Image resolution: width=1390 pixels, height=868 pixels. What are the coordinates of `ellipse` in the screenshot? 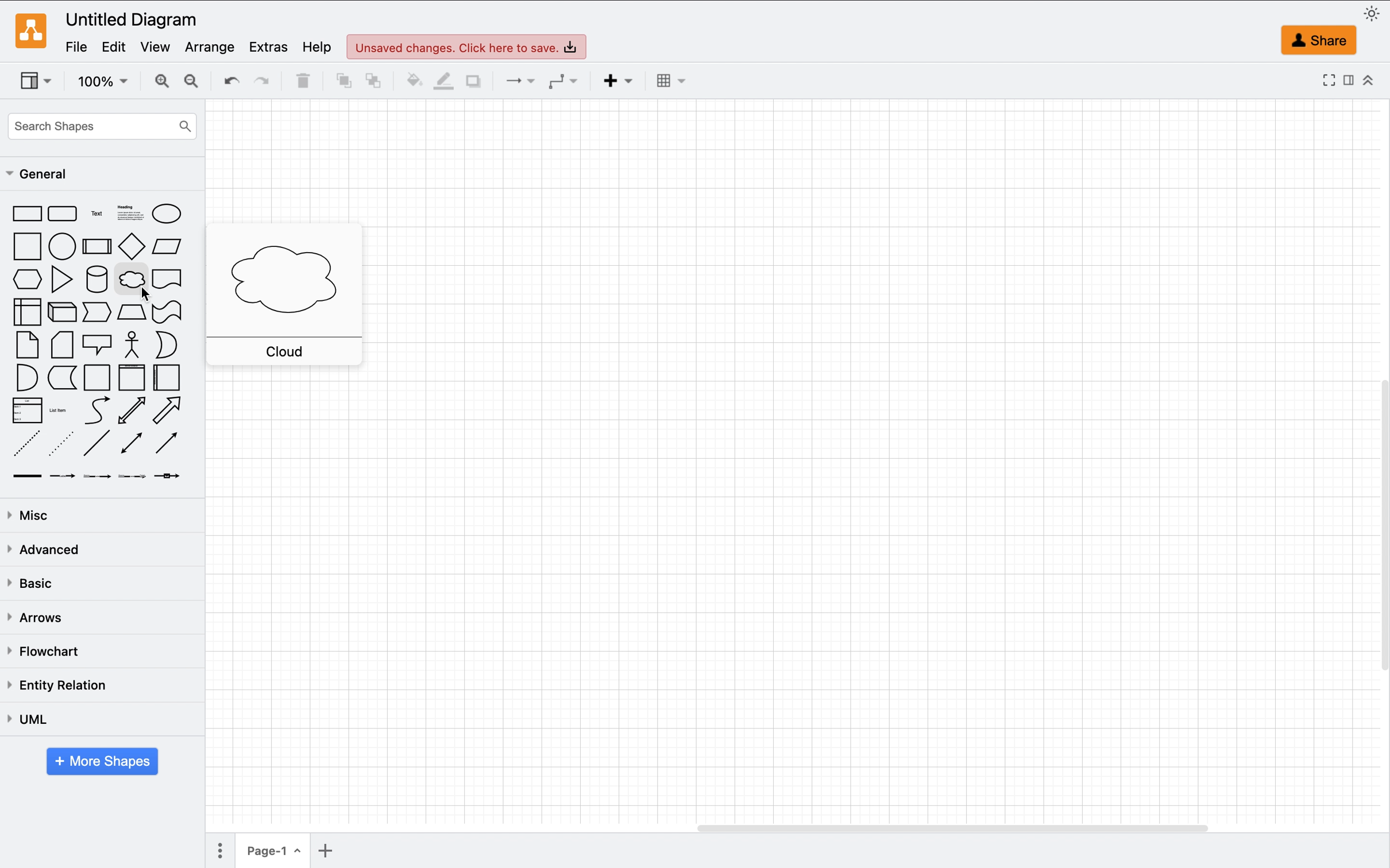 It's located at (167, 215).